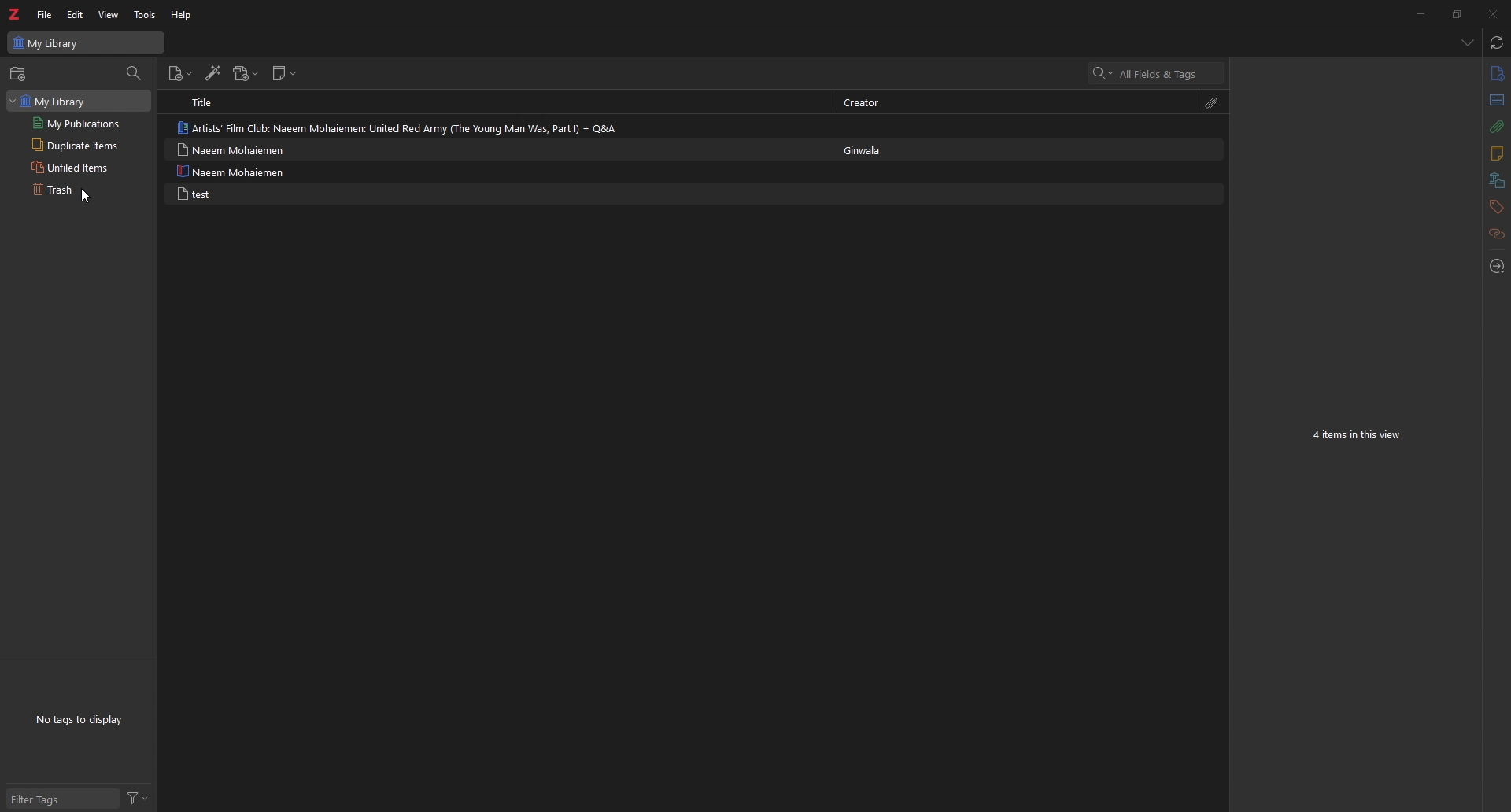 This screenshot has height=812, width=1511. I want to click on duplicate items, so click(78, 144).